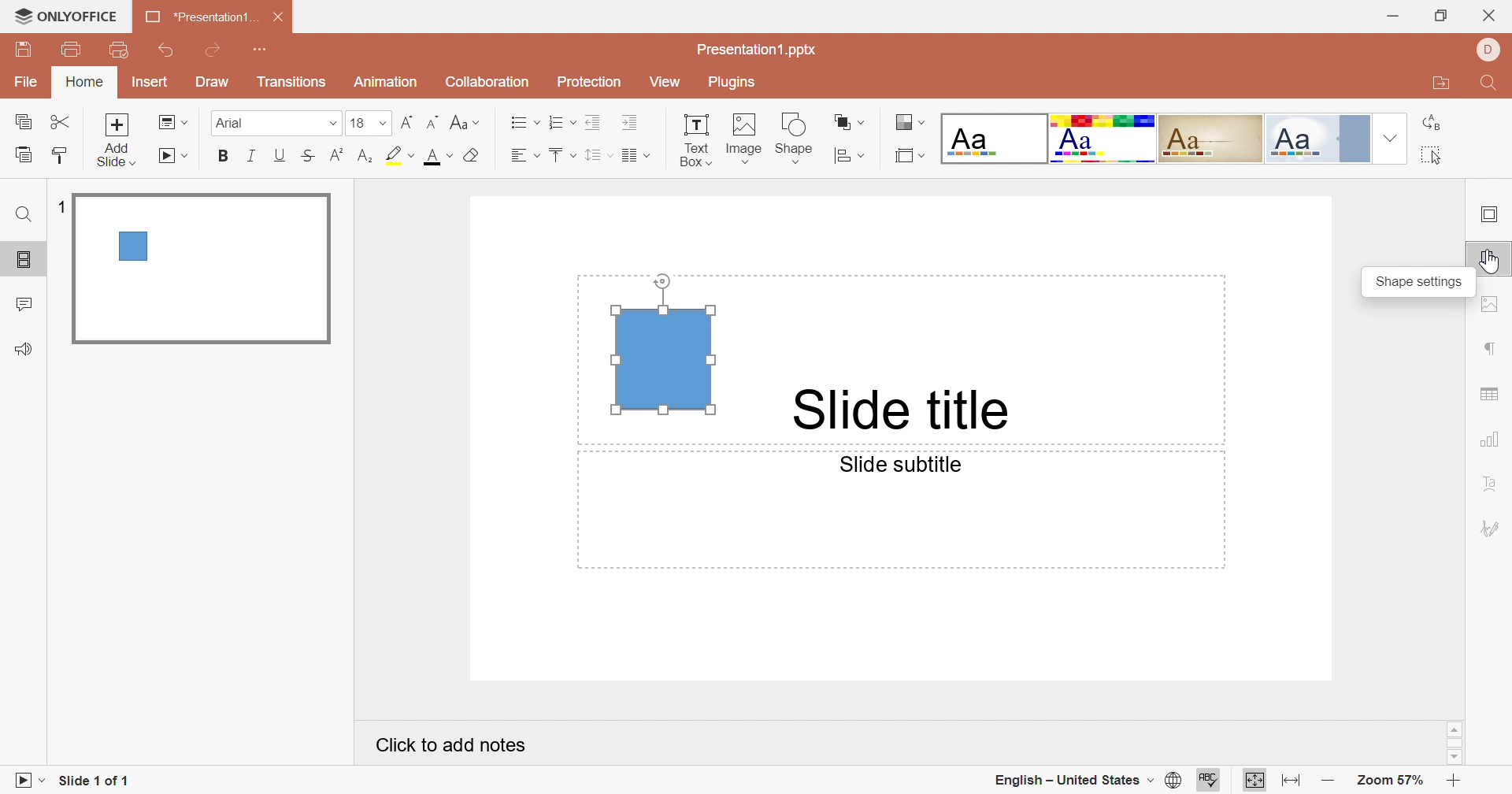  Describe the element at coordinates (1432, 155) in the screenshot. I see `Select All` at that location.